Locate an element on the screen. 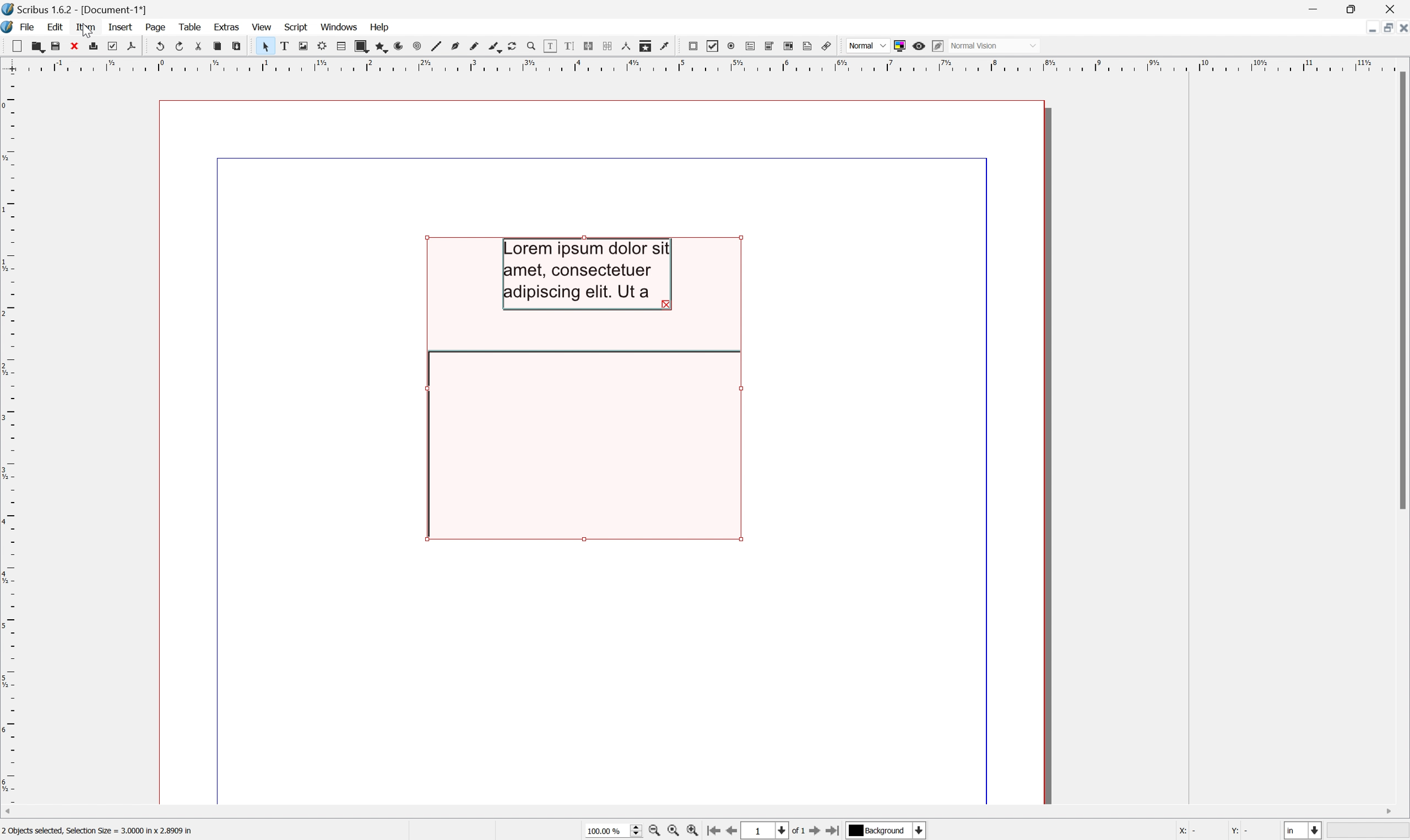  Item is located at coordinates (84, 26).